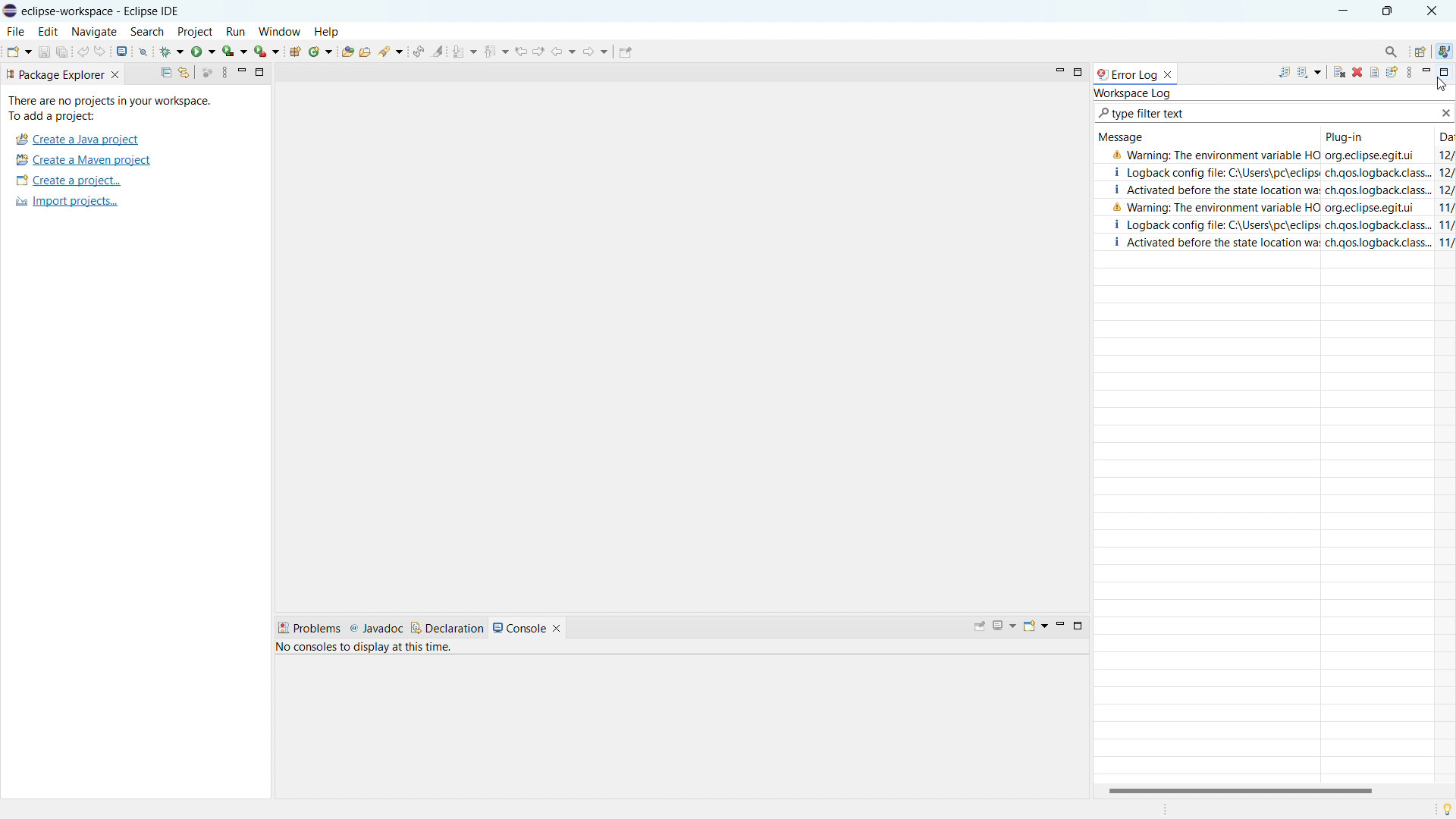 This screenshot has width=1456, height=819. I want to click on declaration, so click(449, 627).